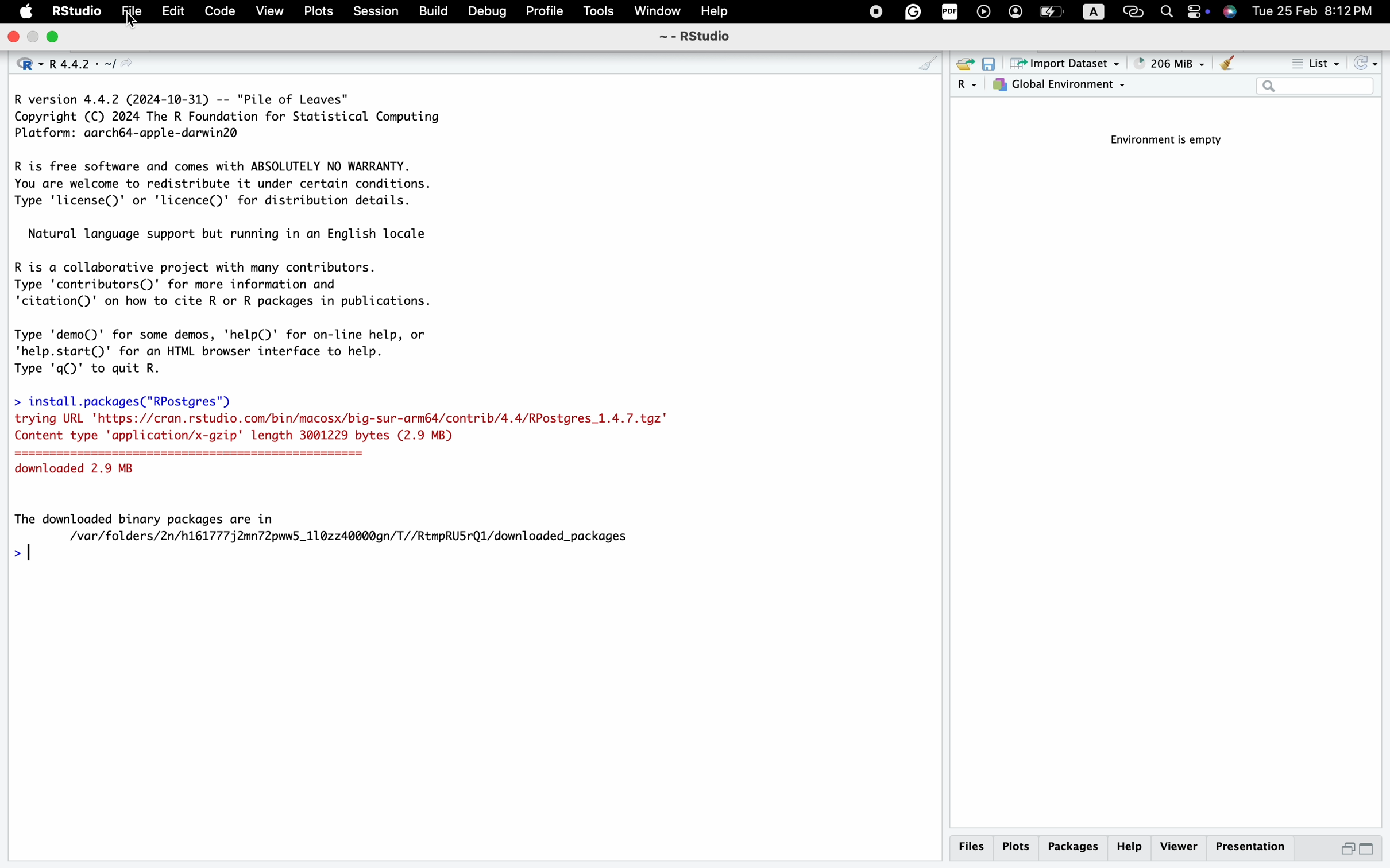  I want to click on Tue 25 Feb 8:12PM, so click(1320, 13).